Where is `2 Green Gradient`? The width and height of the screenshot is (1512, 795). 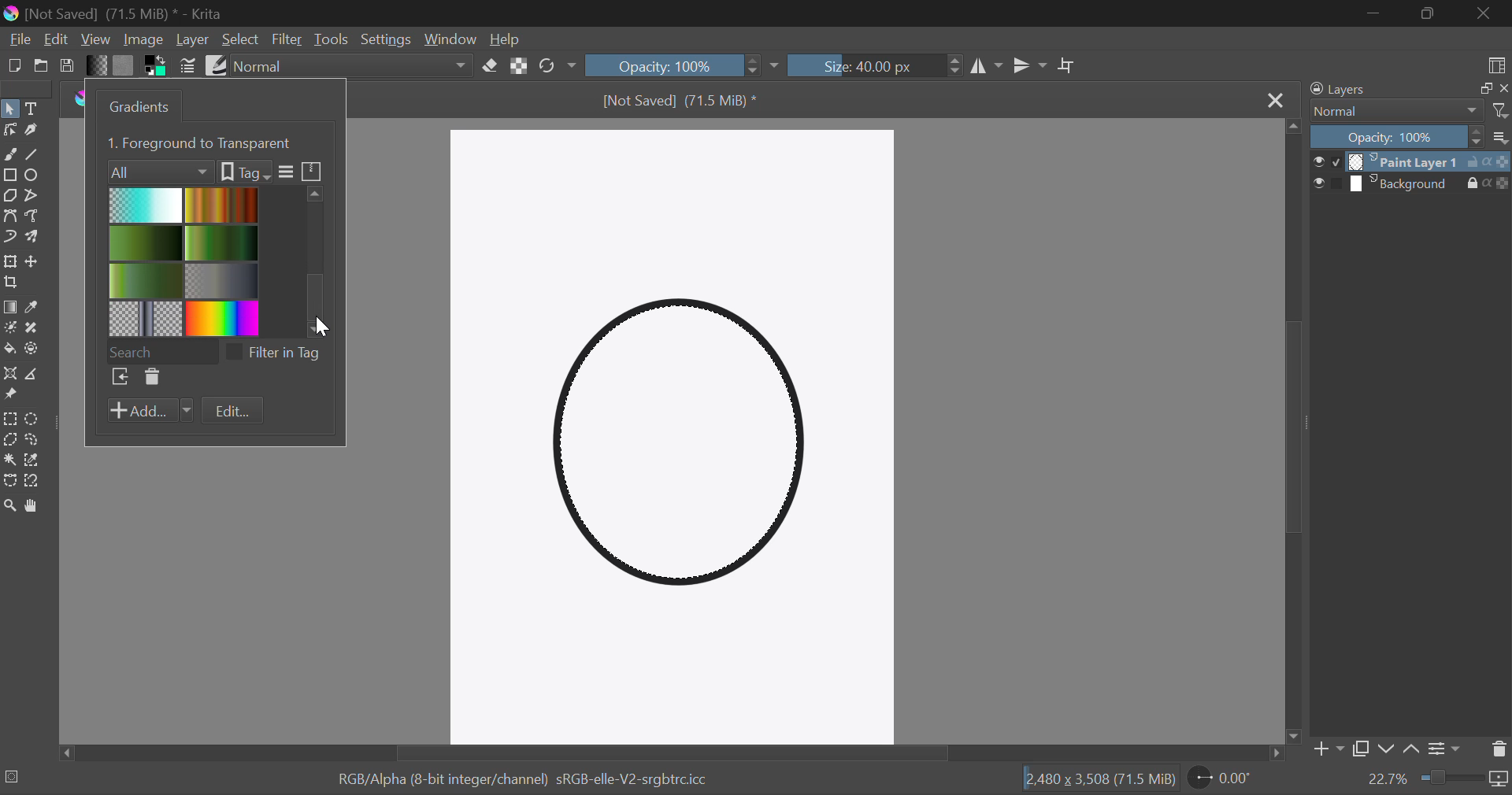 2 Green Gradient is located at coordinates (148, 245).